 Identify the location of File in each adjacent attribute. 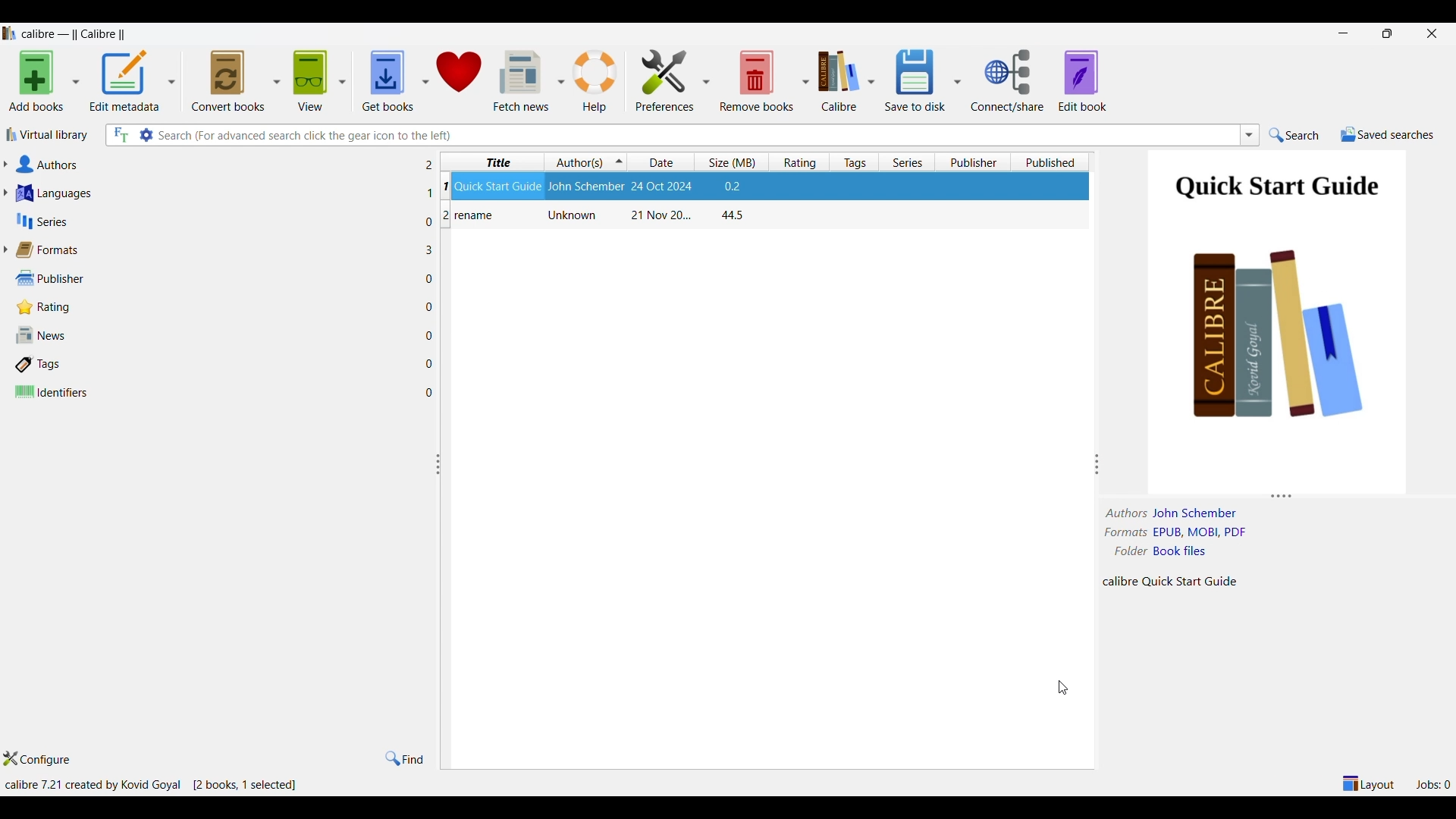
(427, 279).